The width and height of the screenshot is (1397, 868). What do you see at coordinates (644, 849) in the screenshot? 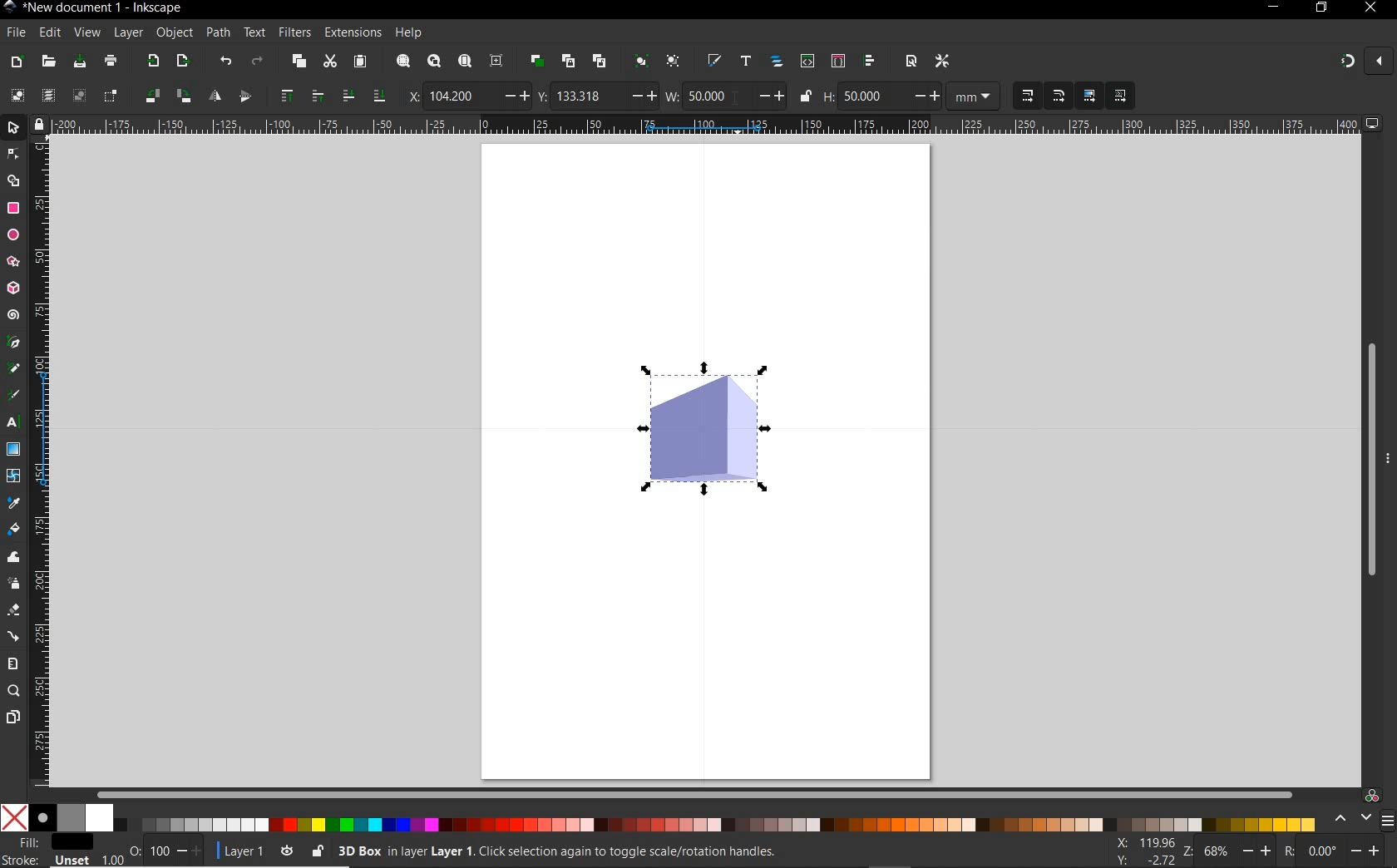
I see `no objects selected` at bounding box center [644, 849].